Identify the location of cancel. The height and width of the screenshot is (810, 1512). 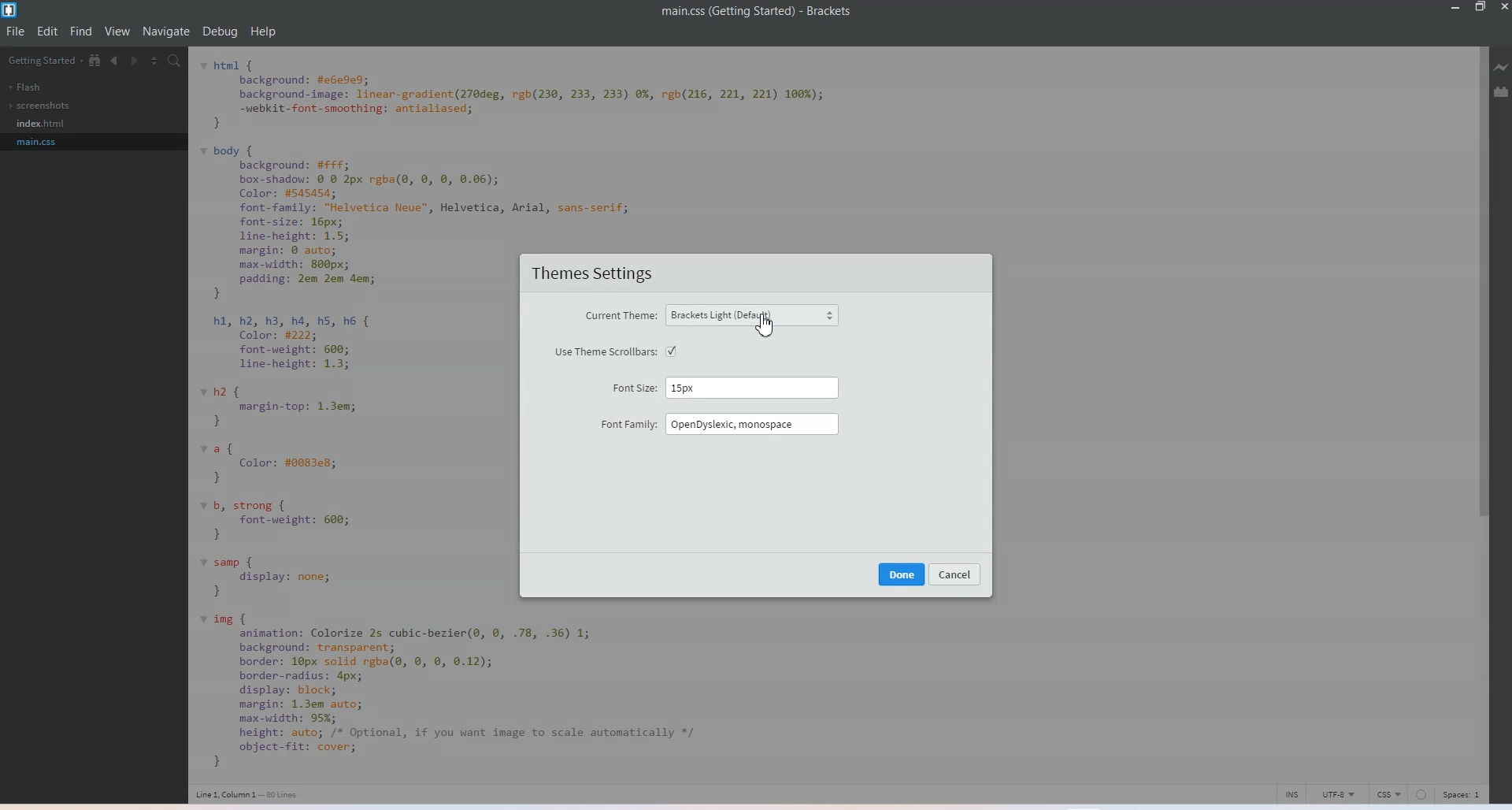
(958, 574).